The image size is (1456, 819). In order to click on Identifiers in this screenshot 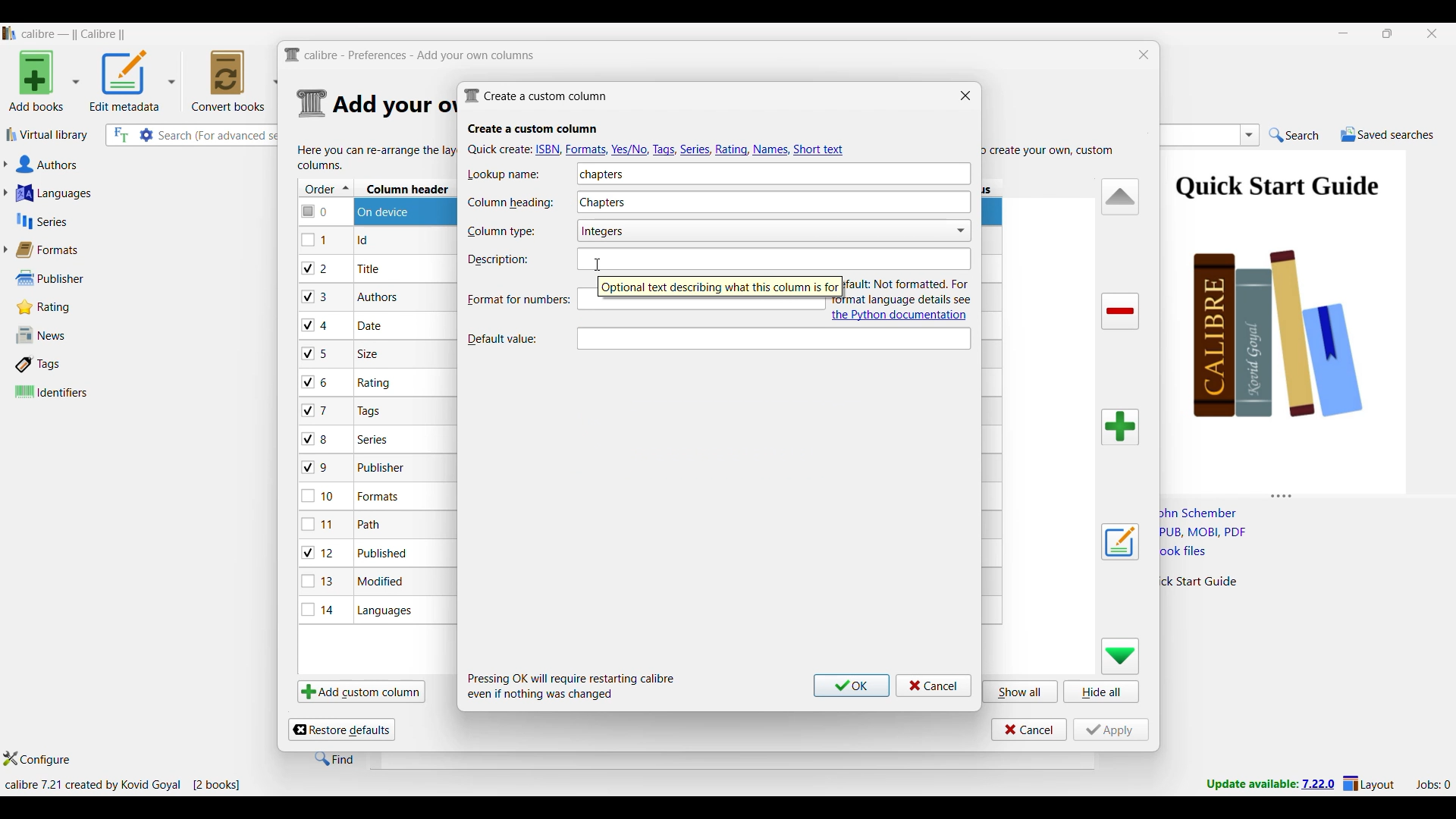, I will do `click(74, 391)`.